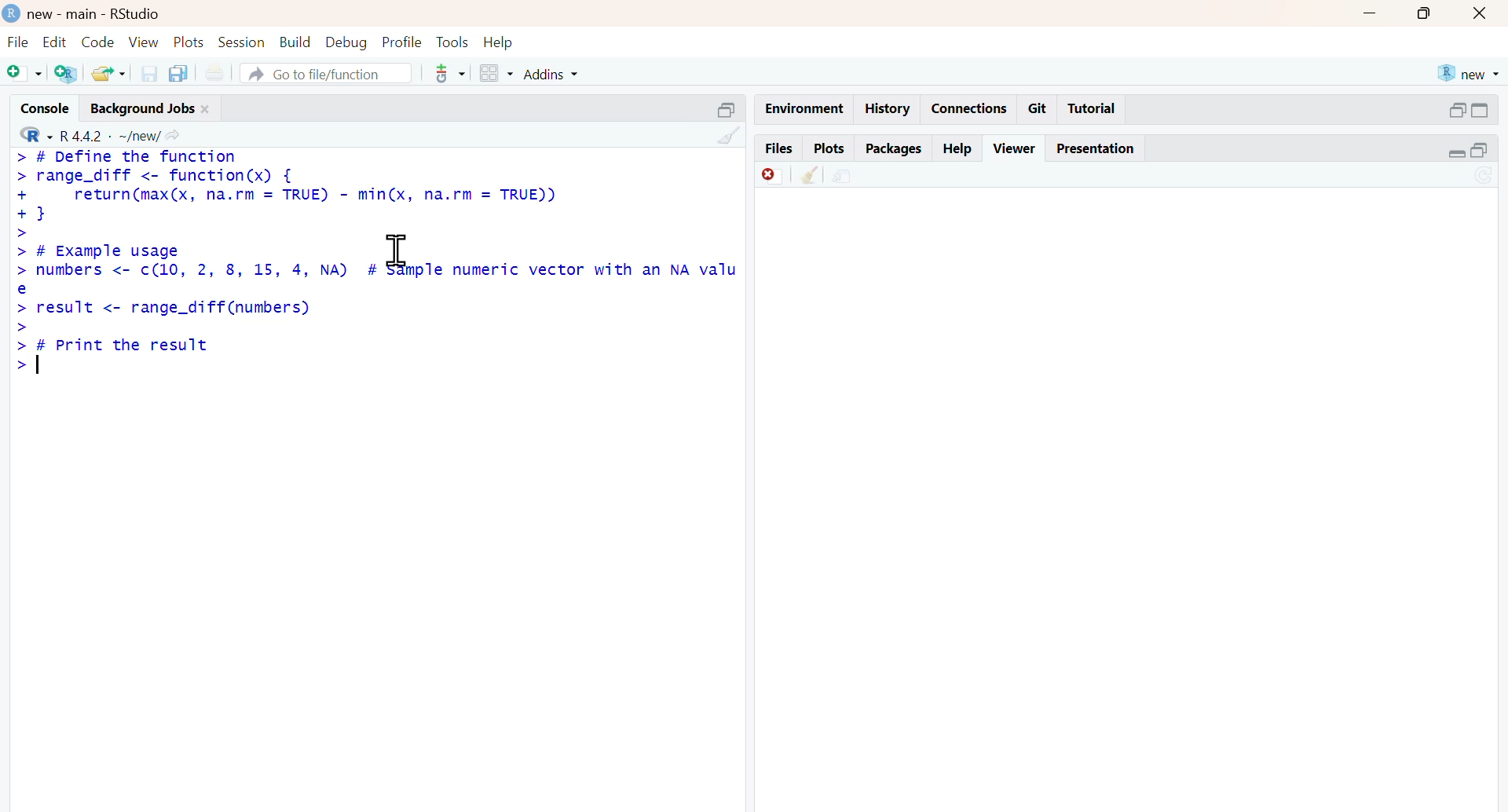 This screenshot has width=1508, height=812. Describe the element at coordinates (110, 135) in the screenshot. I see `R 4.4.2 ~/new/` at that location.